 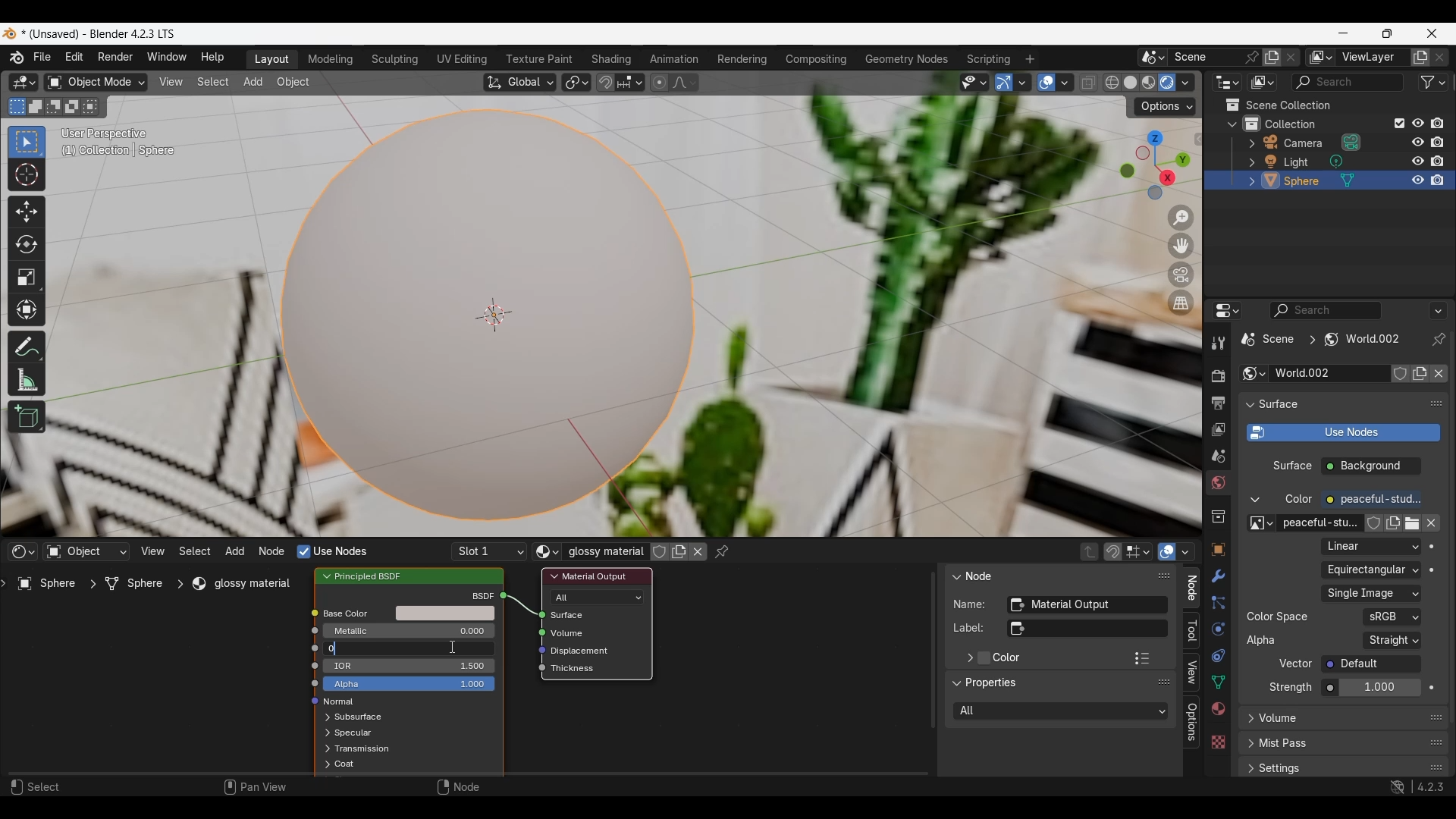 What do you see at coordinates (570, 633) in the screenshot?
I see `Volume` at bounding box center [570, 633].